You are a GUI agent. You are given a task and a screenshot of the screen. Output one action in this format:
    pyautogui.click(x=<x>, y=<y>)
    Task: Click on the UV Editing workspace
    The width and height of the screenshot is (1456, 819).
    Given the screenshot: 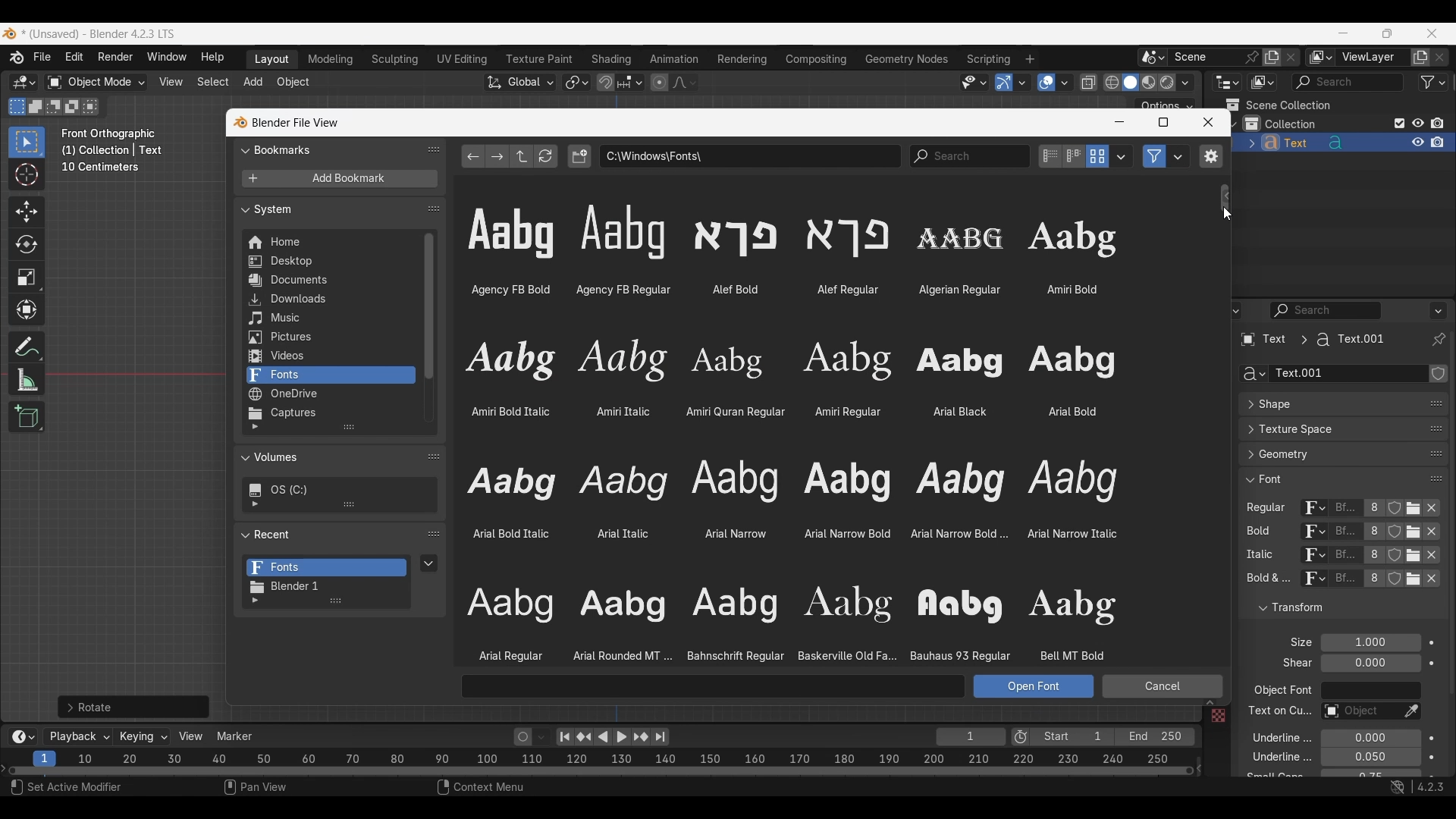 What is the action you would take?
    pyautogui.click(x=463, y=59)
    